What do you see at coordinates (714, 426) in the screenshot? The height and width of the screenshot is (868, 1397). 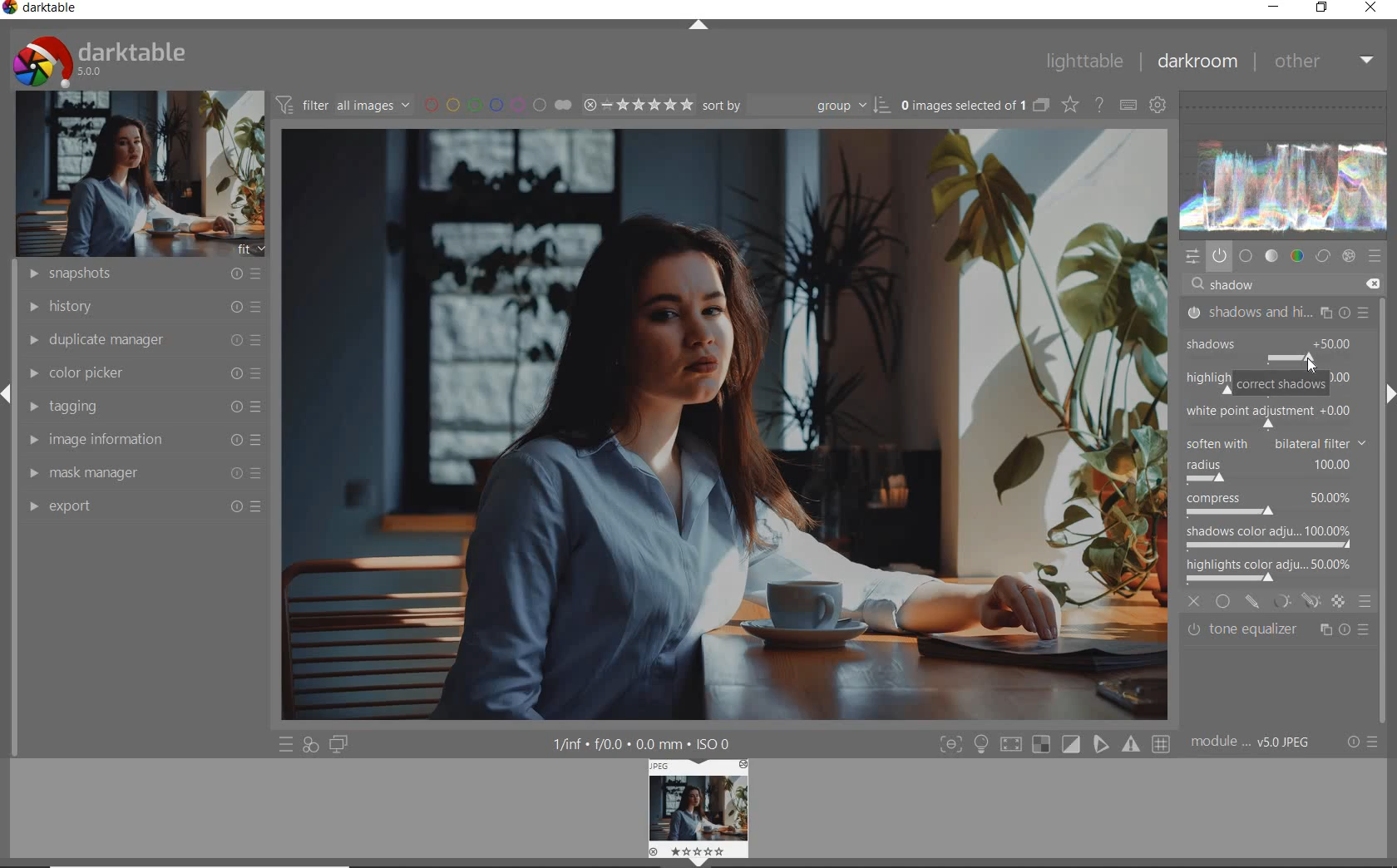 I see `selected image` at bounding box center [714, 426].